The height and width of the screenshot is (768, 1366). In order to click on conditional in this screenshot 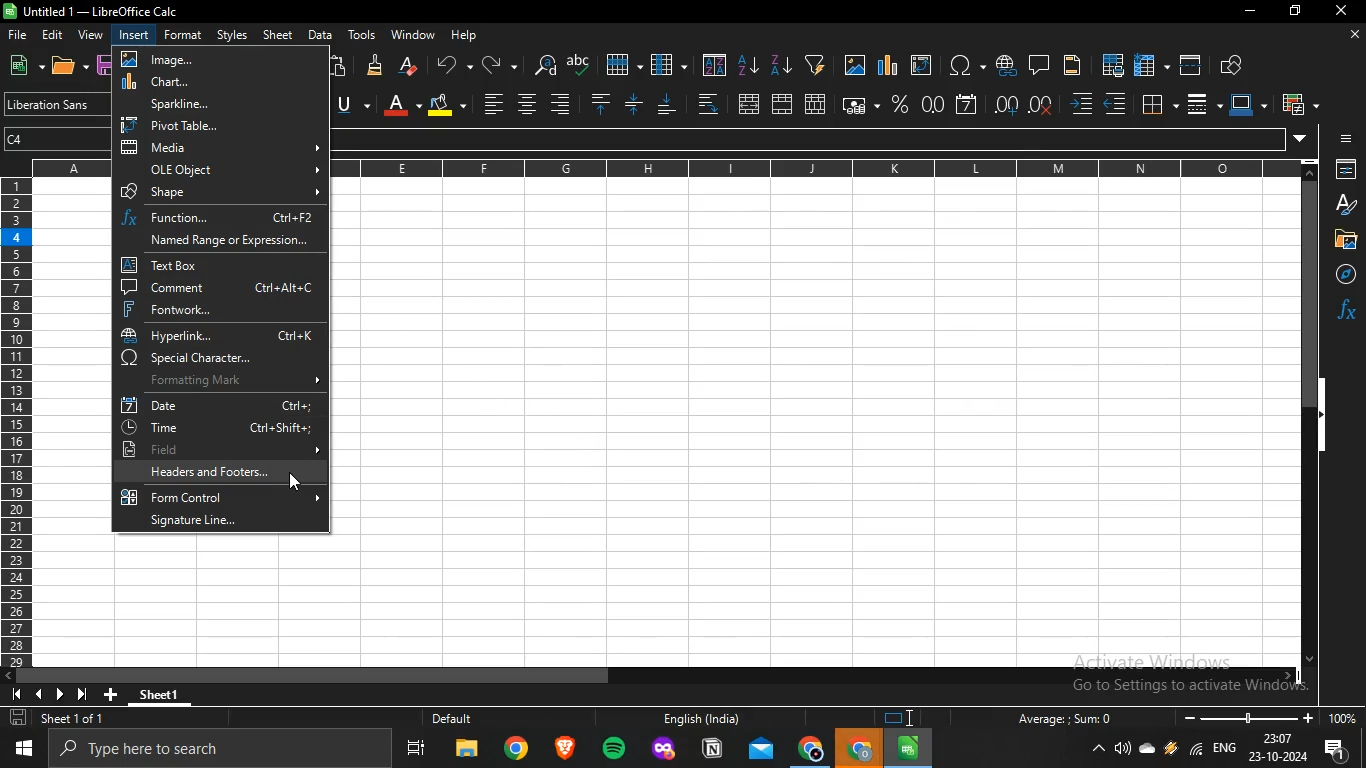, I will do `click(1296, 104)`.